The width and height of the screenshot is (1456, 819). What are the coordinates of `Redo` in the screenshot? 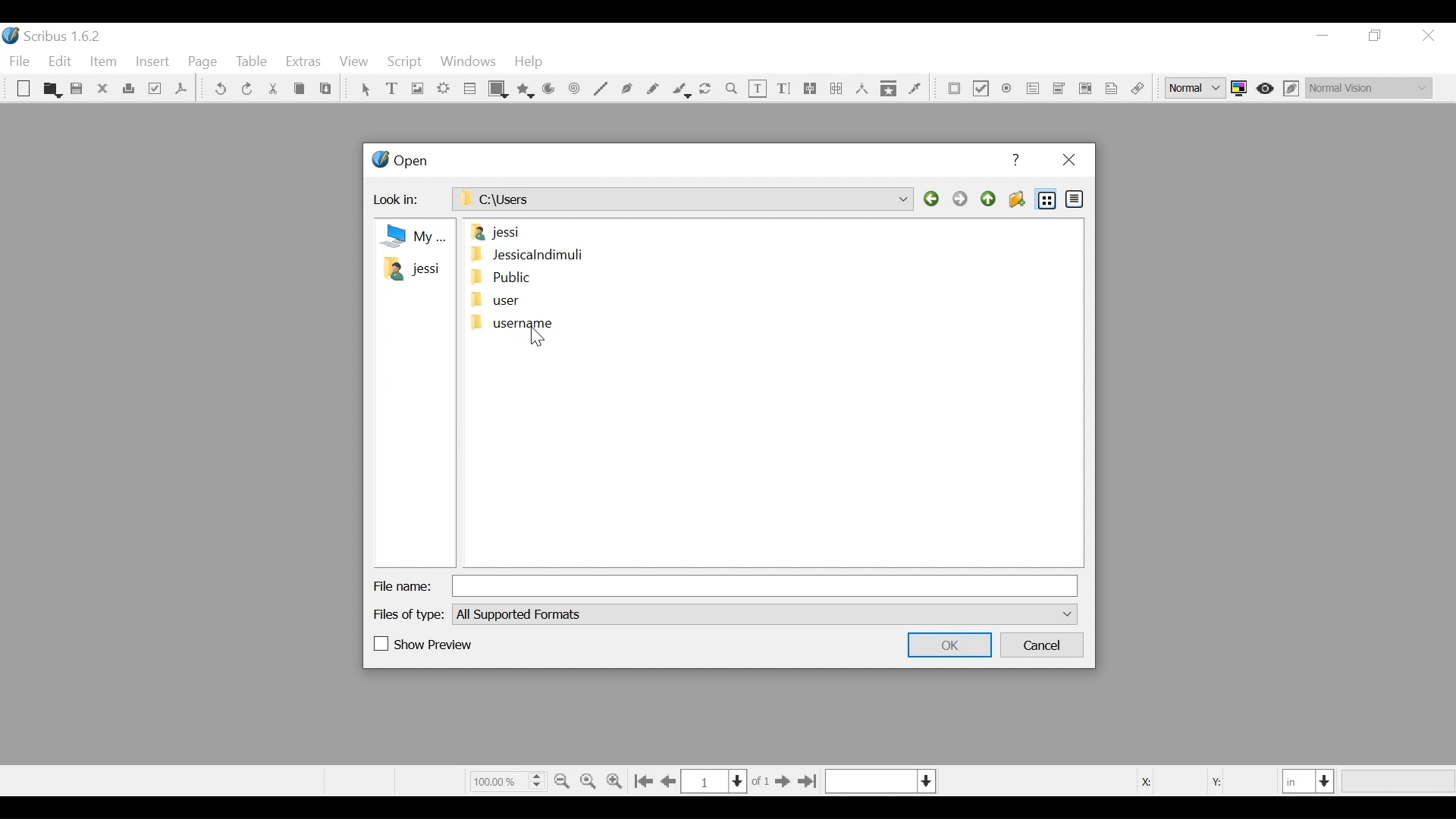 It's located at (246, 88).